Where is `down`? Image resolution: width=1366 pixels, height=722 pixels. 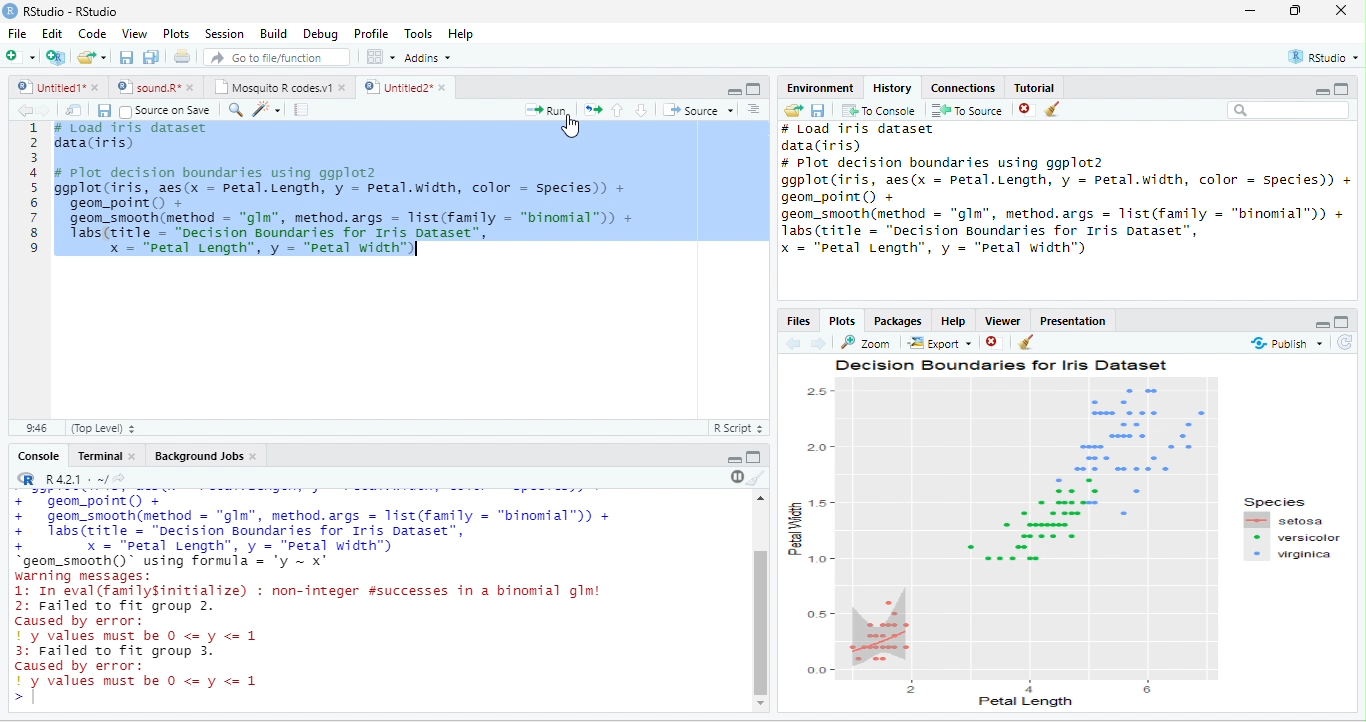 down is located at coordinates (641, 110).